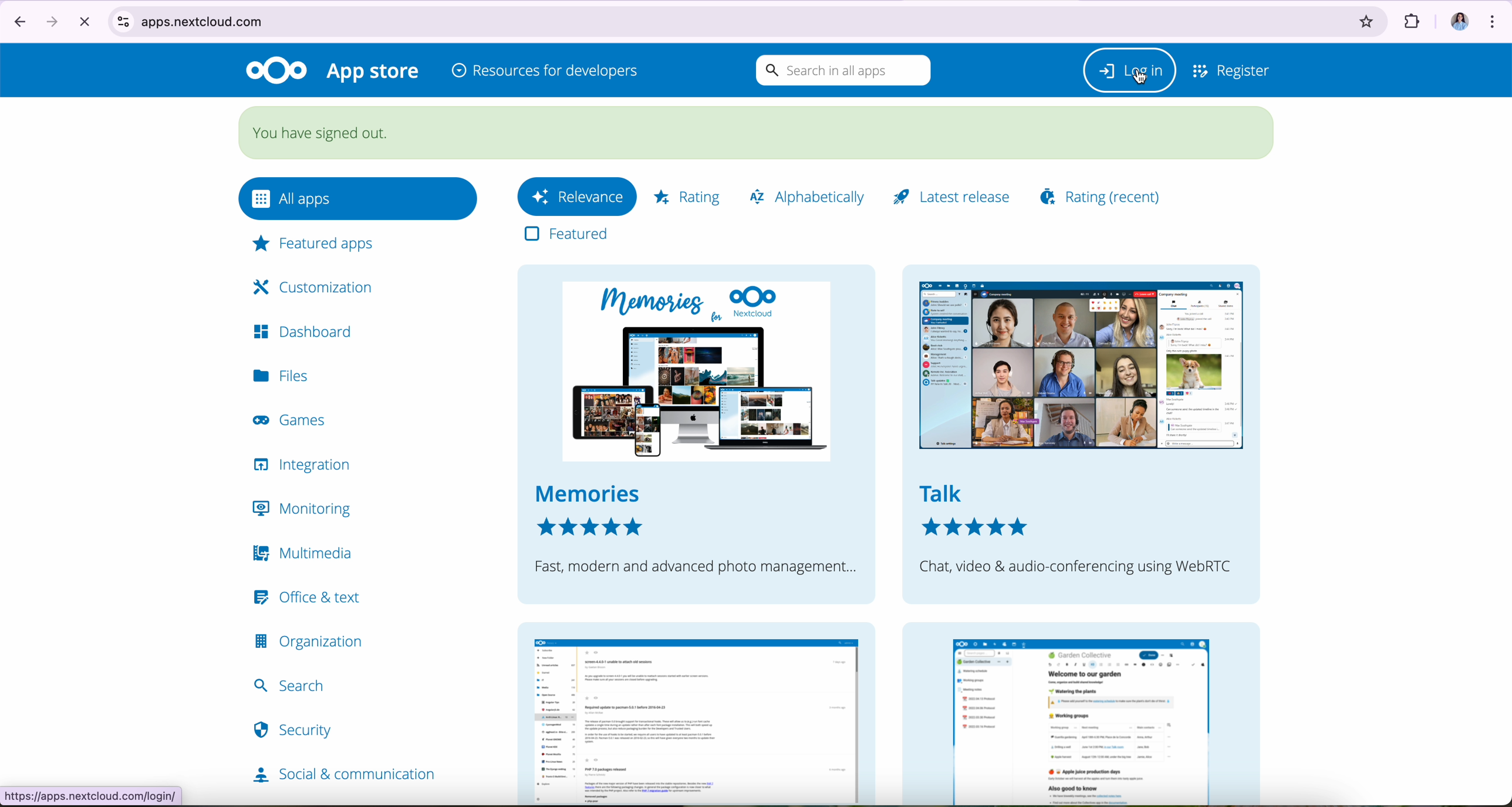 The image size is (1512, 807). What do you see at coordinates (693, 417) in the screenshot?
I see `memories next cloud memories fast, modern and advanced photo management` at bounding box center [693, 417].